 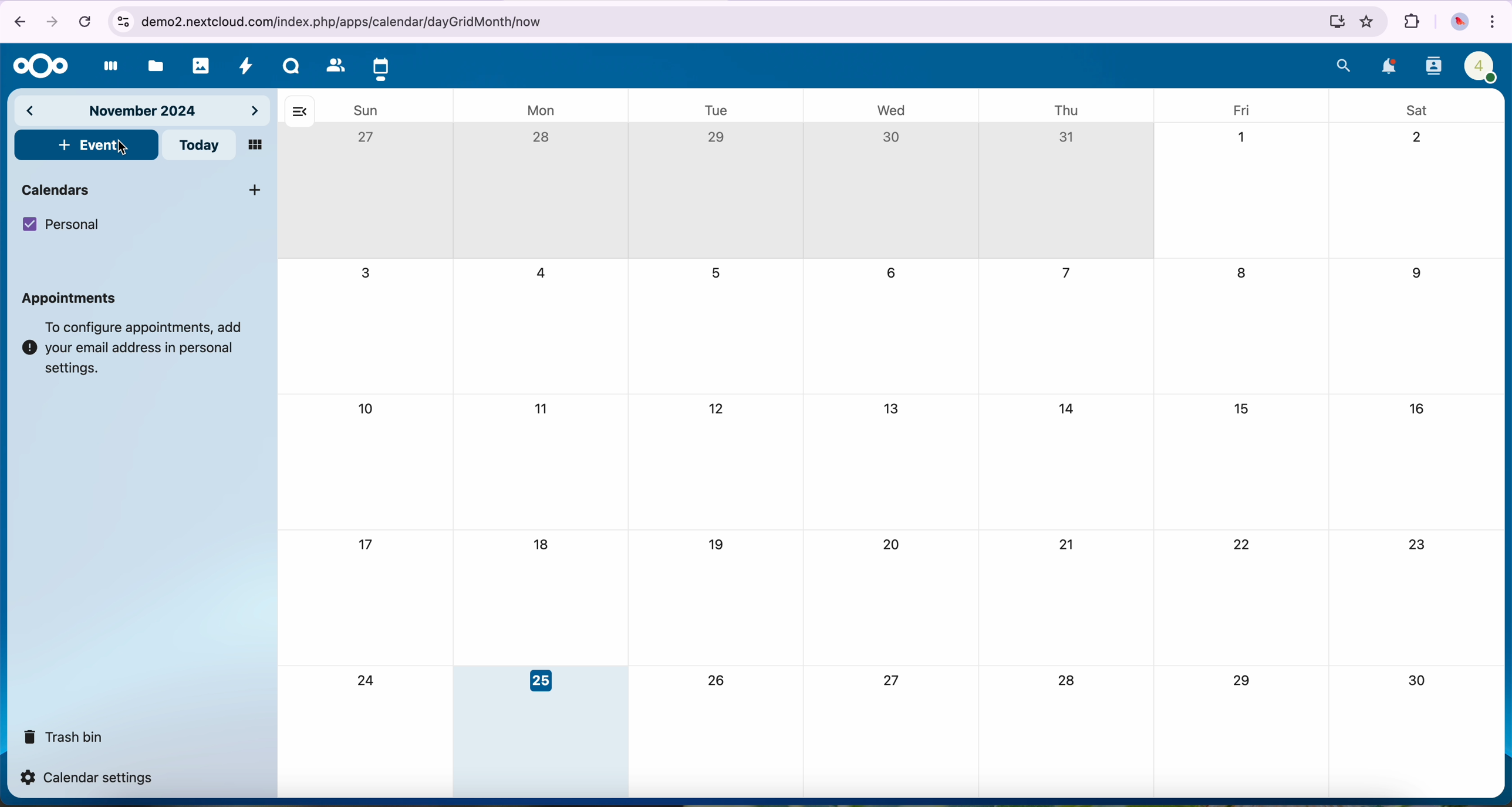 What do you see at coordinates (1419, 546) in the screenshot?
I see `23` at bounding box center [1419, 546].